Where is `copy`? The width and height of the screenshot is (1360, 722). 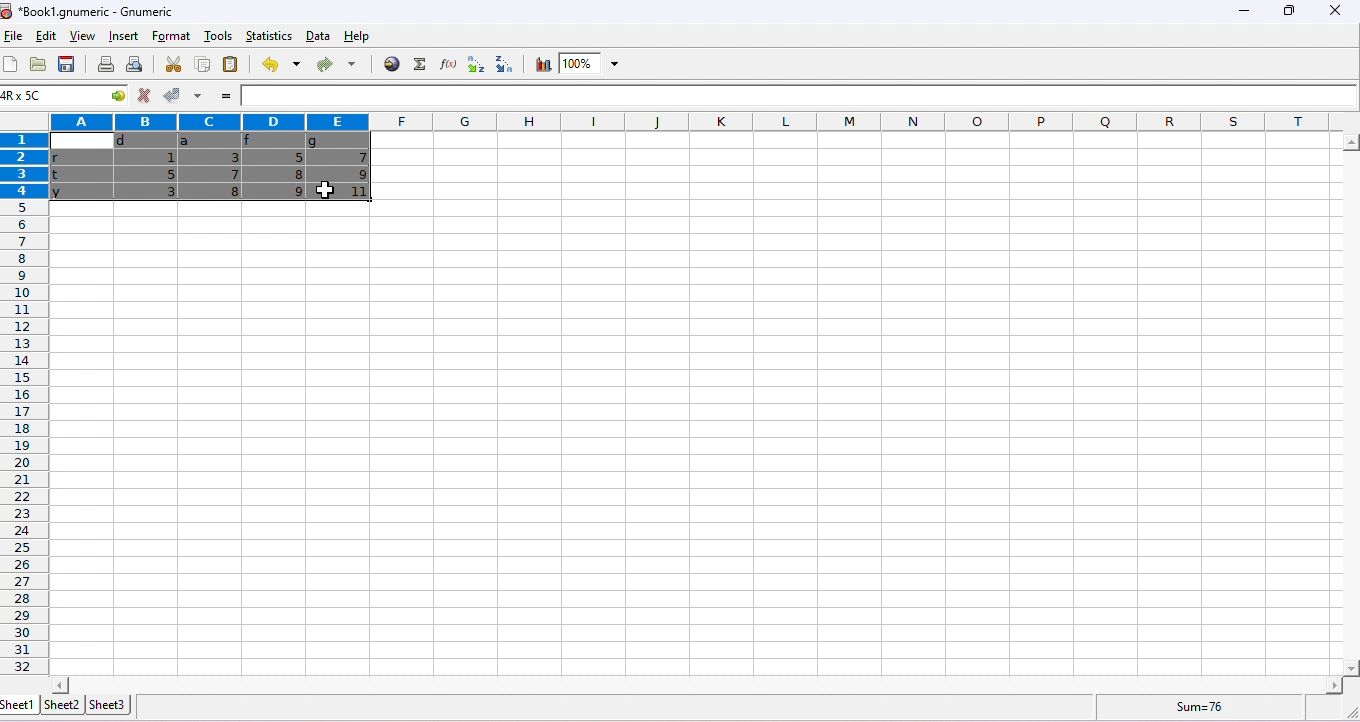 copy is located at coordinates (201, 64).